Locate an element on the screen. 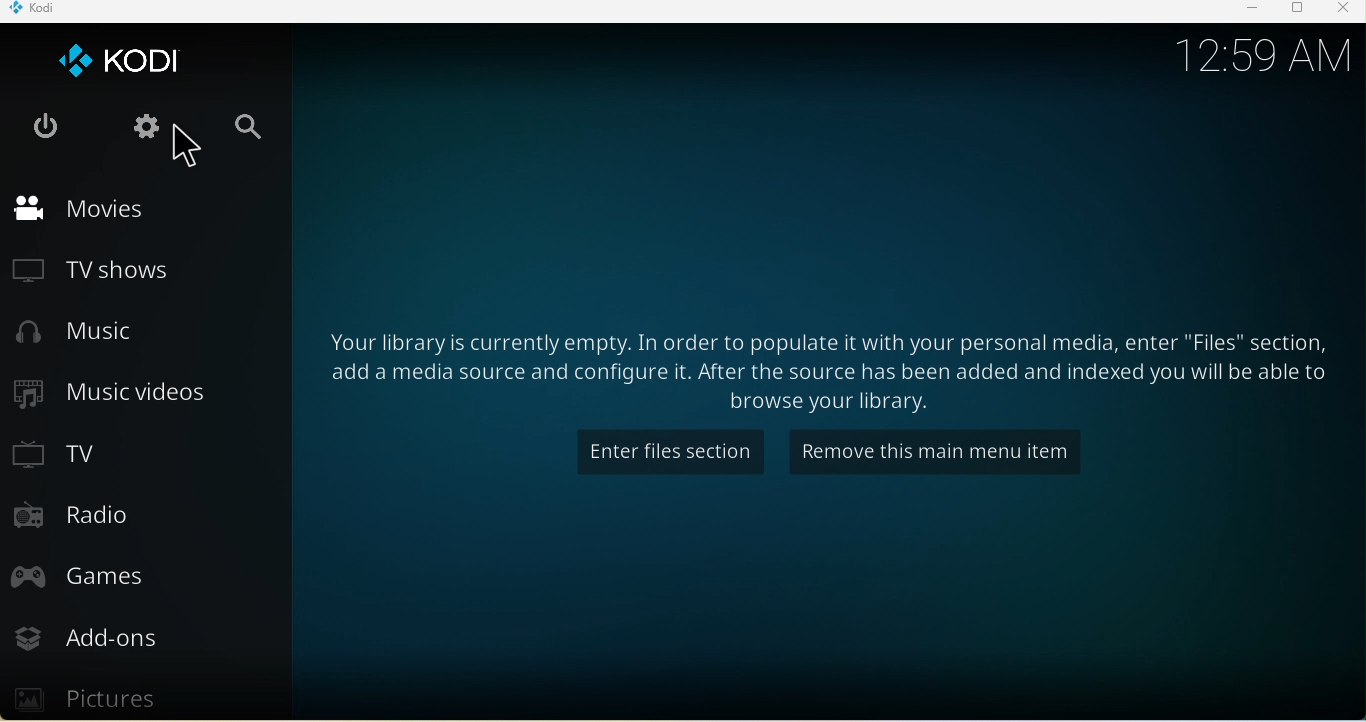 The width and height of the screenshot is (1366, 722). Music videos is located at coordinates (117, 392).